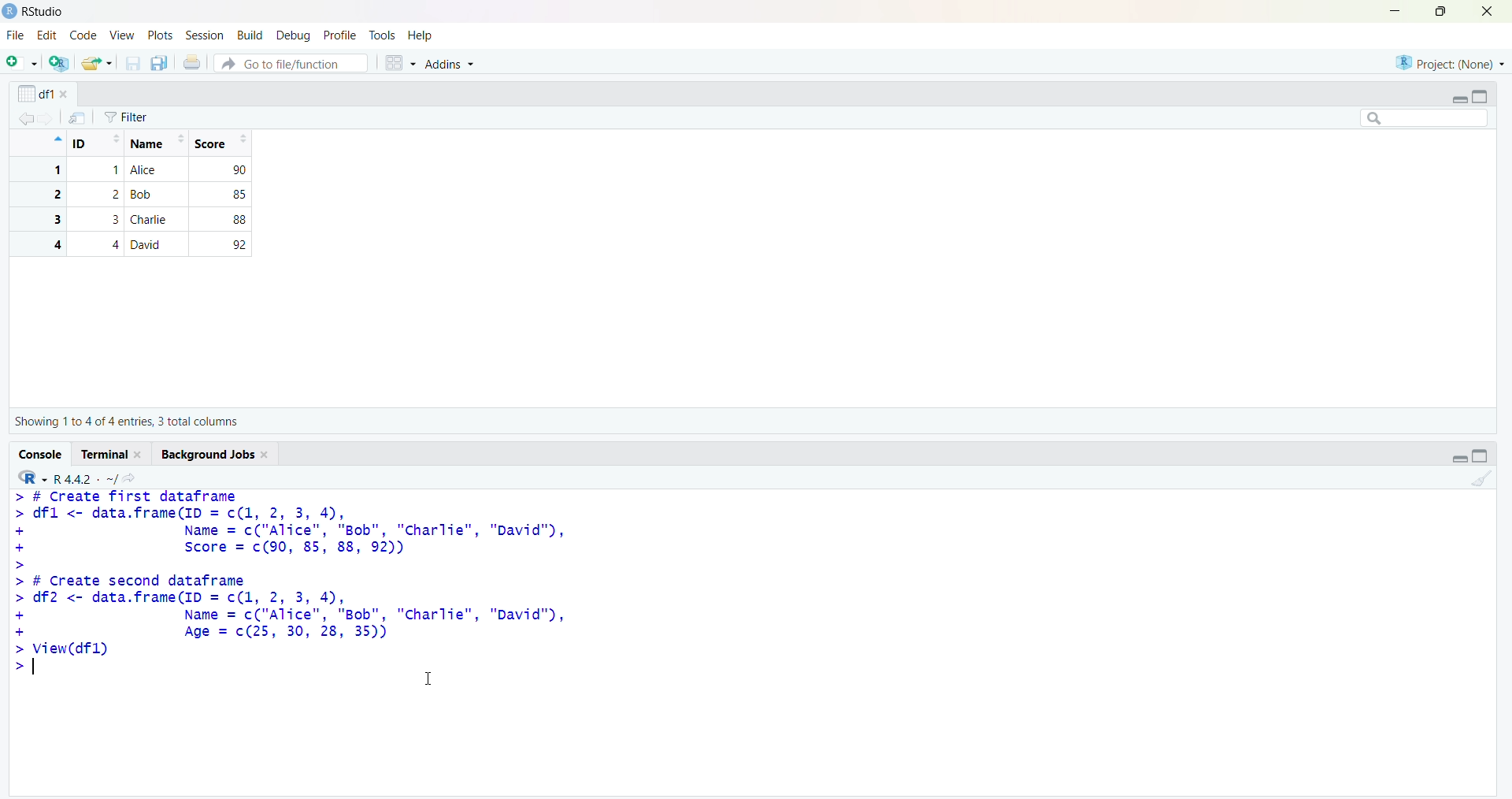  What do you see at coordinates (32, 478) in the screenshot?
I see `R` at bounding box center [32, 478].